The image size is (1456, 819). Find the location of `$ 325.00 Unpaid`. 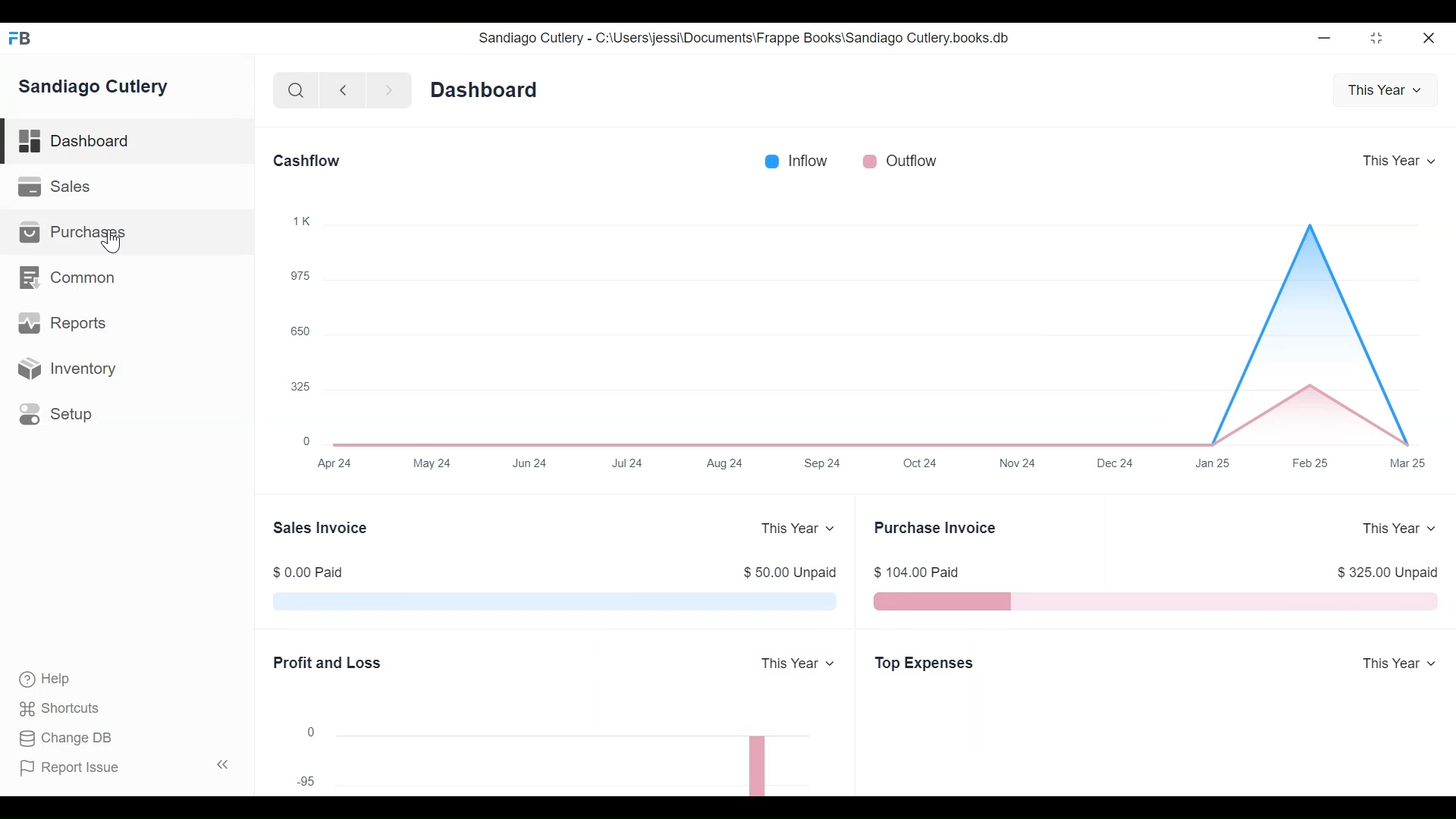

$ 325.00 Unpaid is located at coordinates (1382, 566).